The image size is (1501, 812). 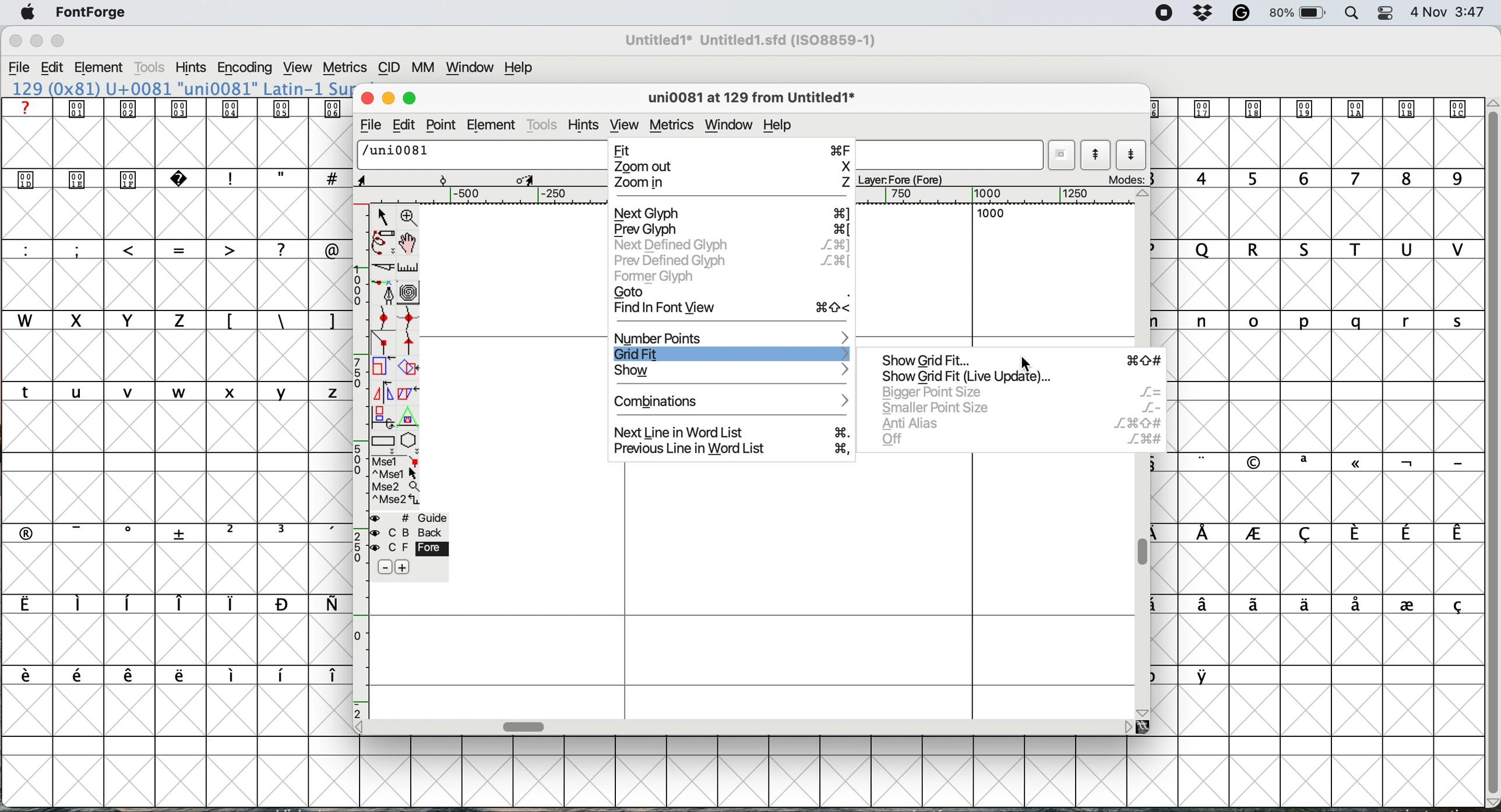 What do you see at coordinates (409, 291) in the screenshot?
I see `change whether spiro is active or not` at bounding box center [409, 291].